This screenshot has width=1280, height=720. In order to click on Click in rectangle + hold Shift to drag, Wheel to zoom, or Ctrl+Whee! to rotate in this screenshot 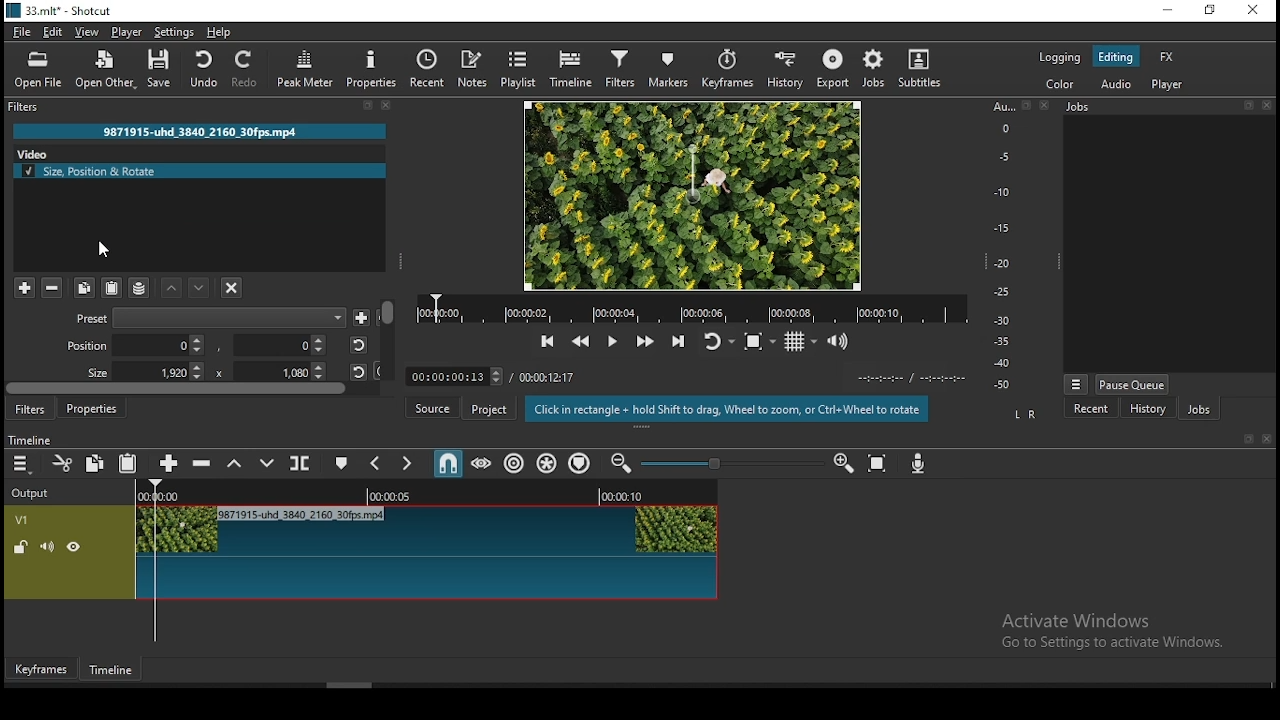, I will do `click(730, 410)`.